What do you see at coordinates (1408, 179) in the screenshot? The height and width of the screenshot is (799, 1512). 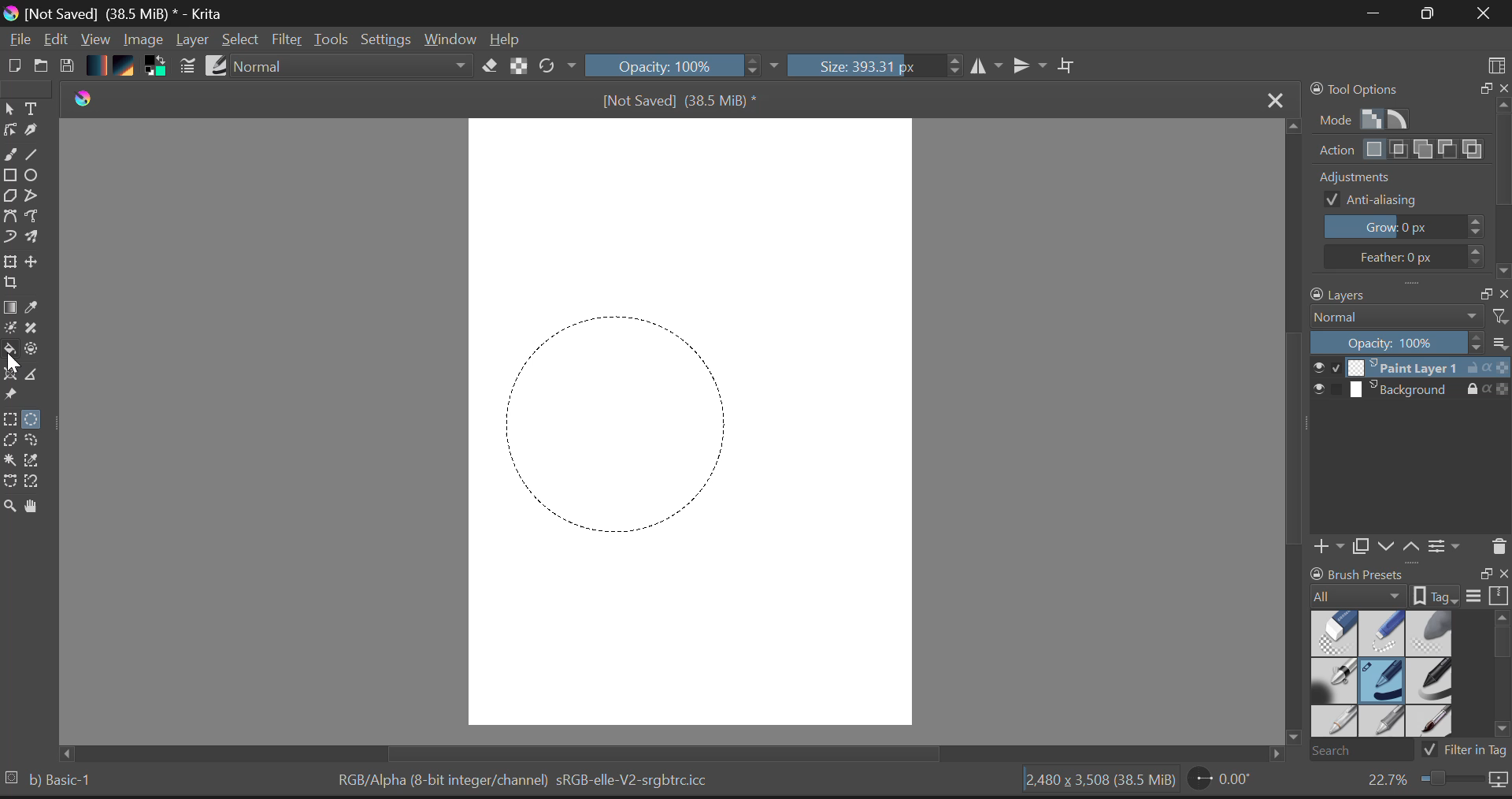 I see `Tools Options Docker` at bounding box center [1408, 179].